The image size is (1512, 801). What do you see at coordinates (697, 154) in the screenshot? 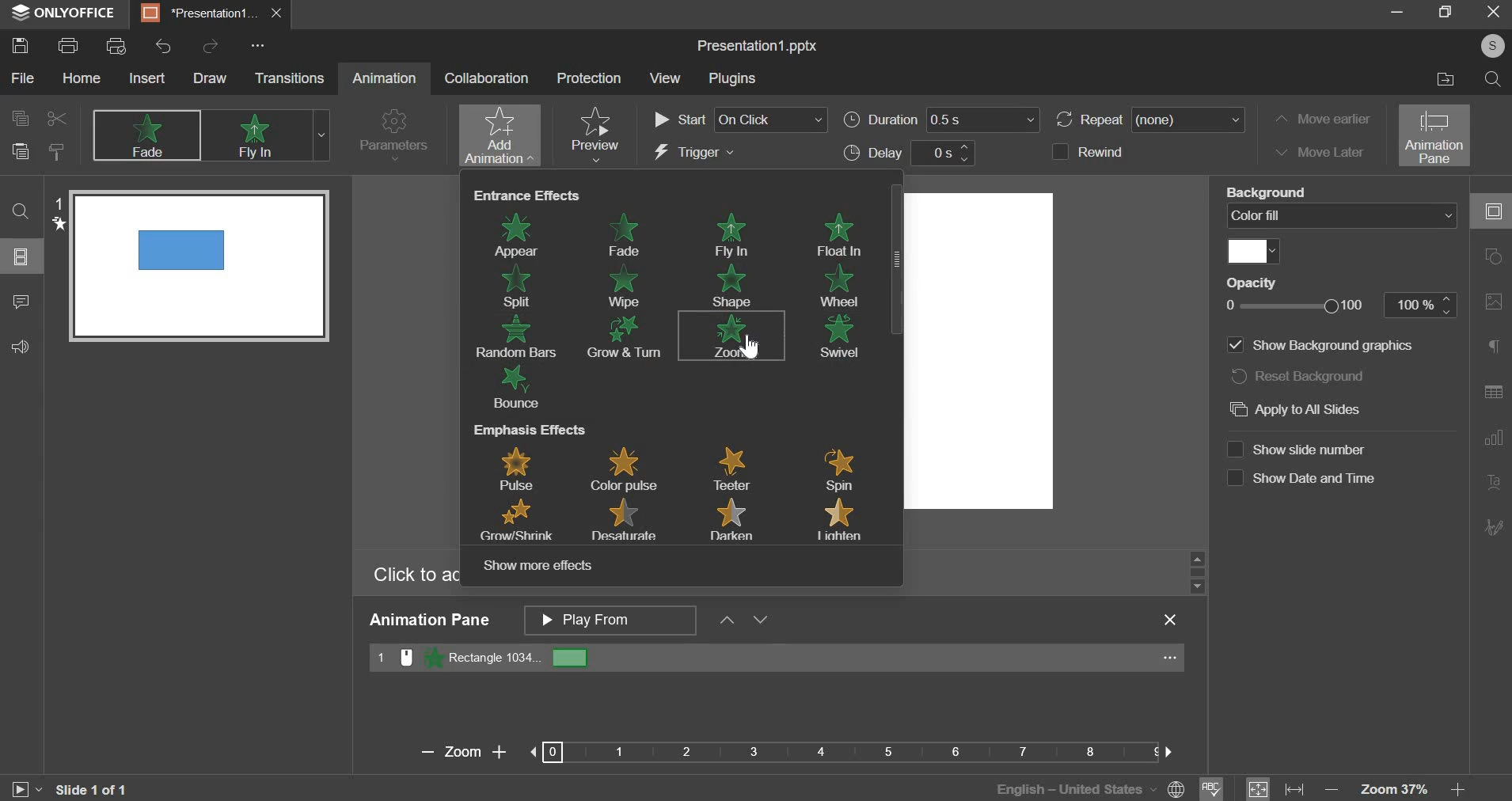
I see `trigger` at bounding box center [697, 154].